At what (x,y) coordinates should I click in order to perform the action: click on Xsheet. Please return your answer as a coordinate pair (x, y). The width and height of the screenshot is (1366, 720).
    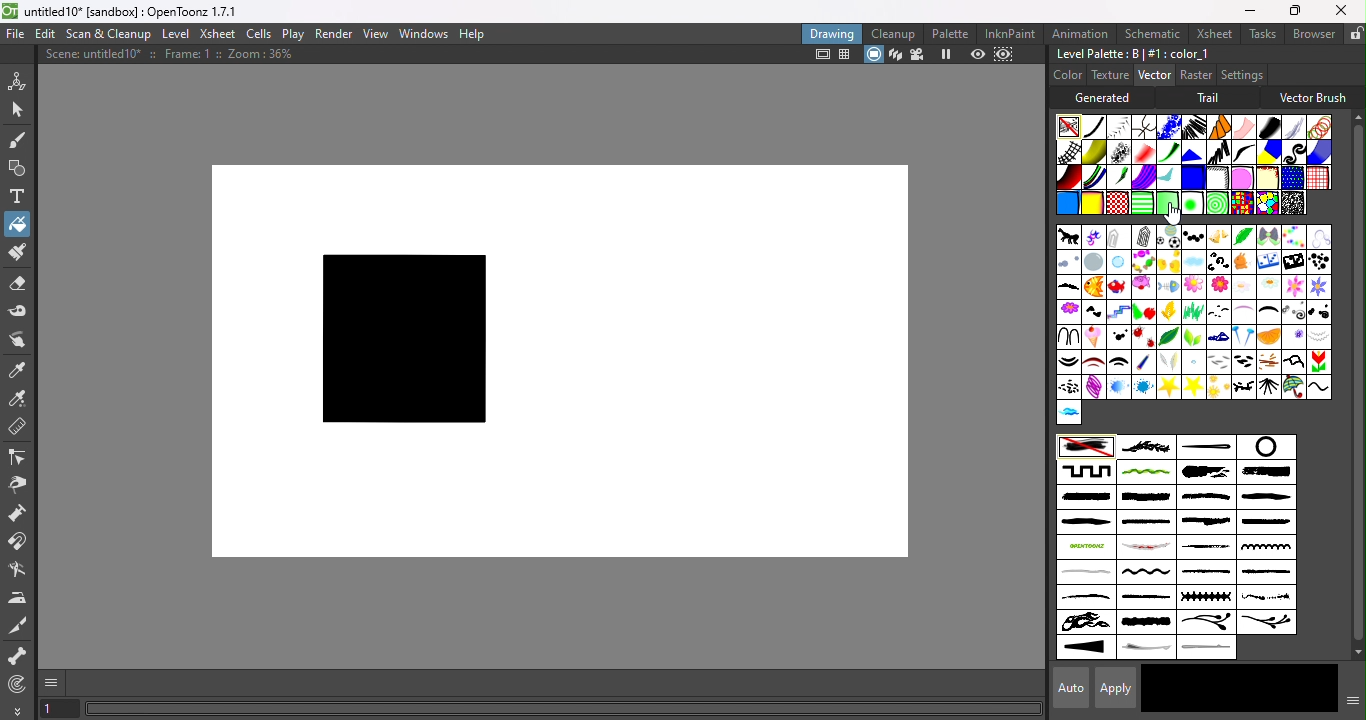
    Looking at the image, I should click on (1211, 33).